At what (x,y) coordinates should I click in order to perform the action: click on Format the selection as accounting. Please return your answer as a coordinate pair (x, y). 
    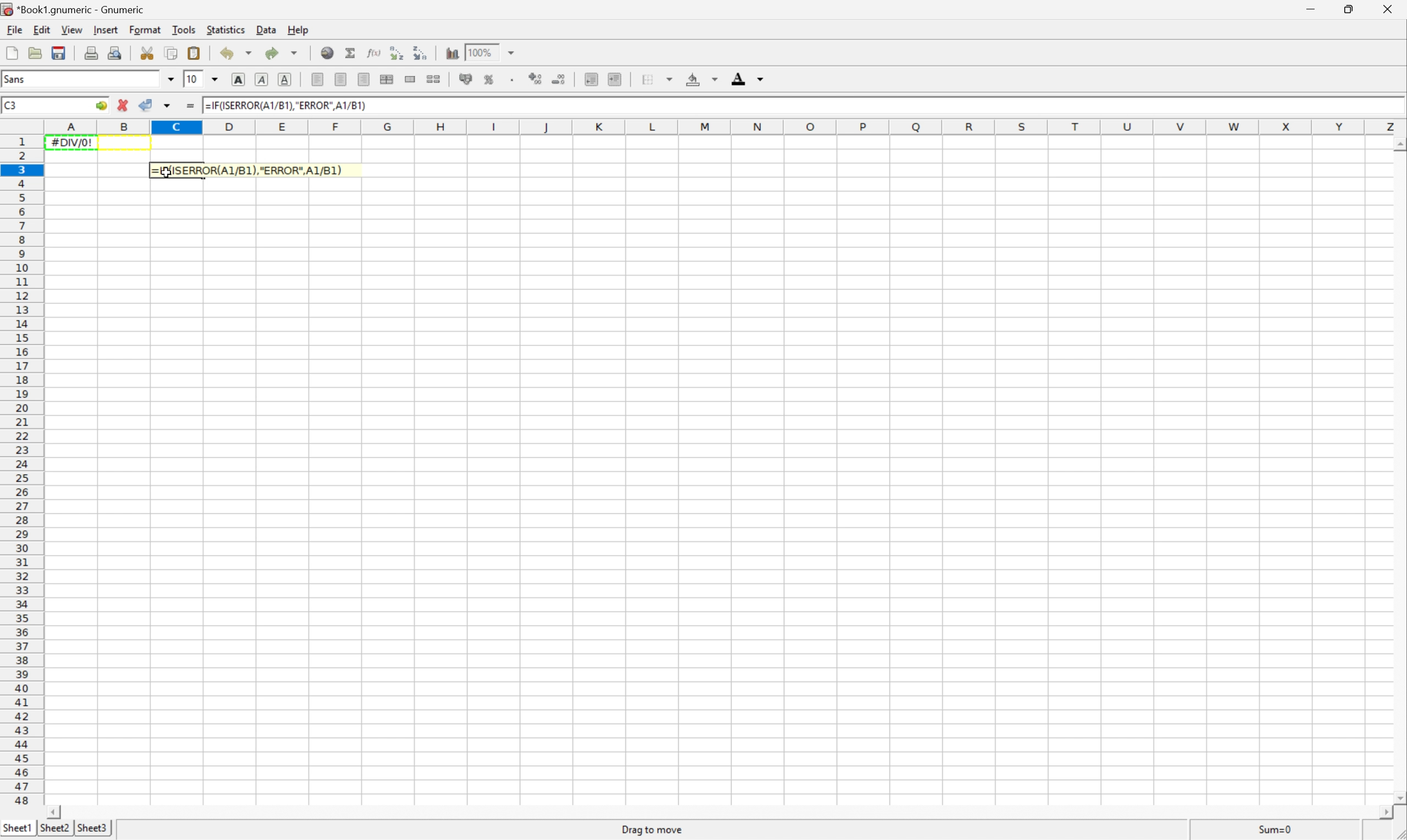
    Looking at the image, I should click on (465, 79).